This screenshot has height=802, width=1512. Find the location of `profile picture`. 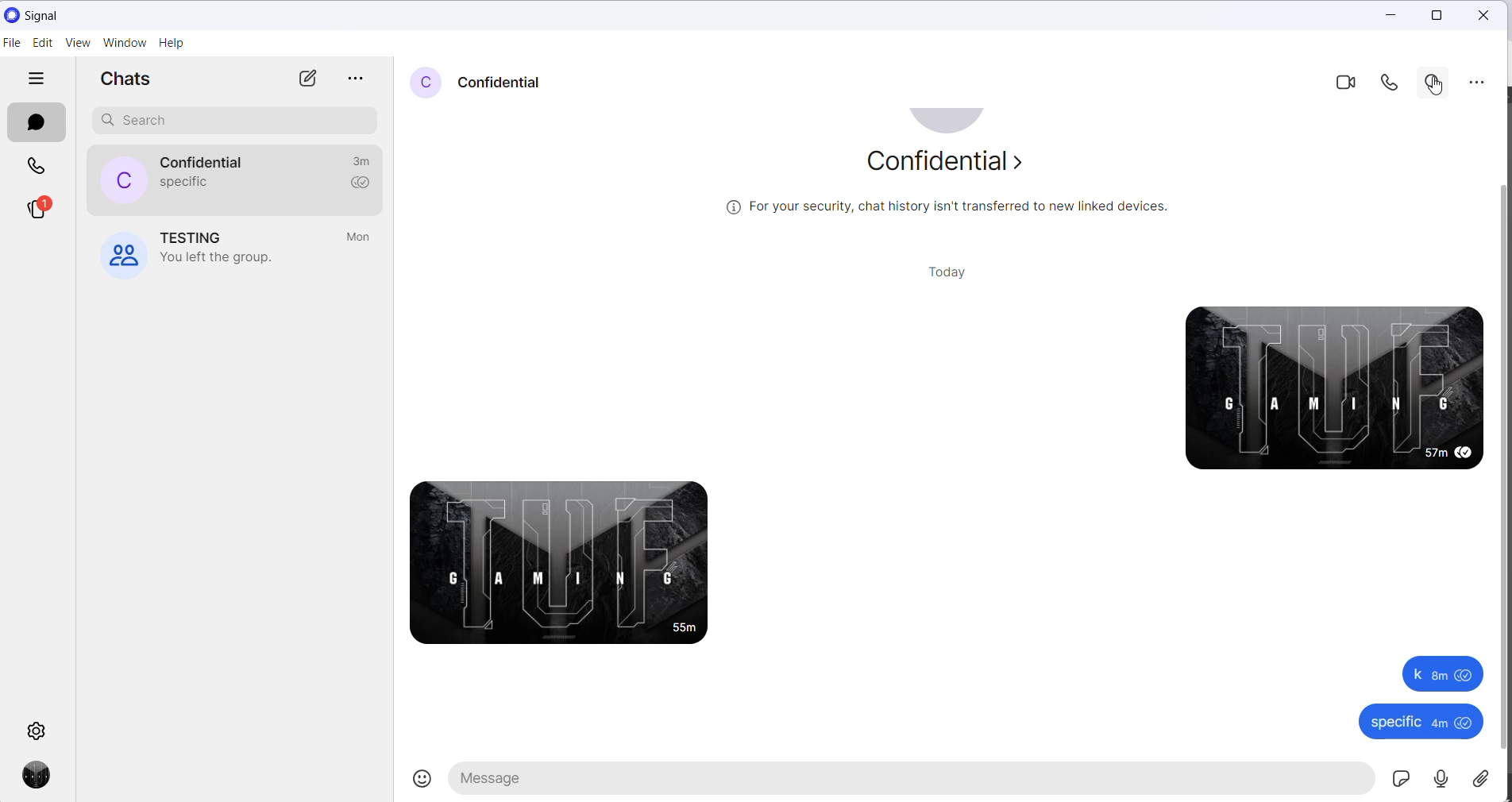

profile picture is located at coordinates (117, 180).